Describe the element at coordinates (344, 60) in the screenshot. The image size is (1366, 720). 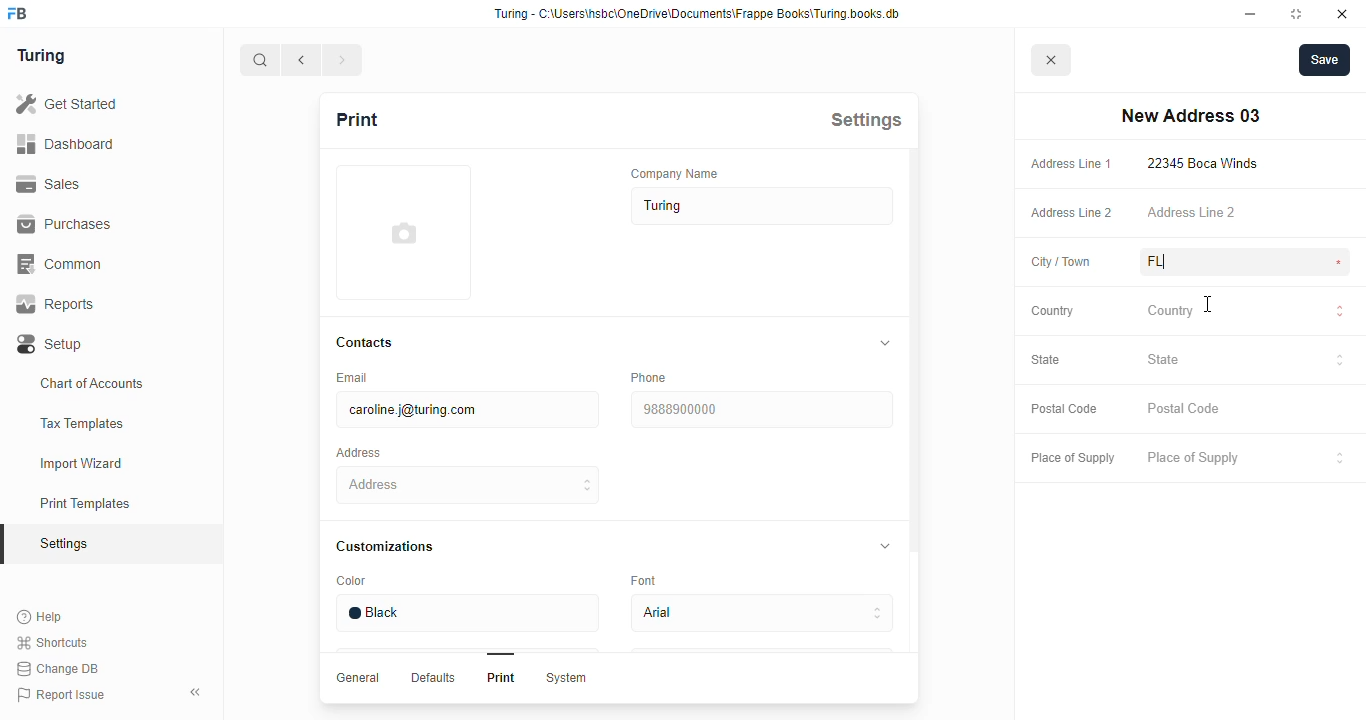
I see `next` at that location.